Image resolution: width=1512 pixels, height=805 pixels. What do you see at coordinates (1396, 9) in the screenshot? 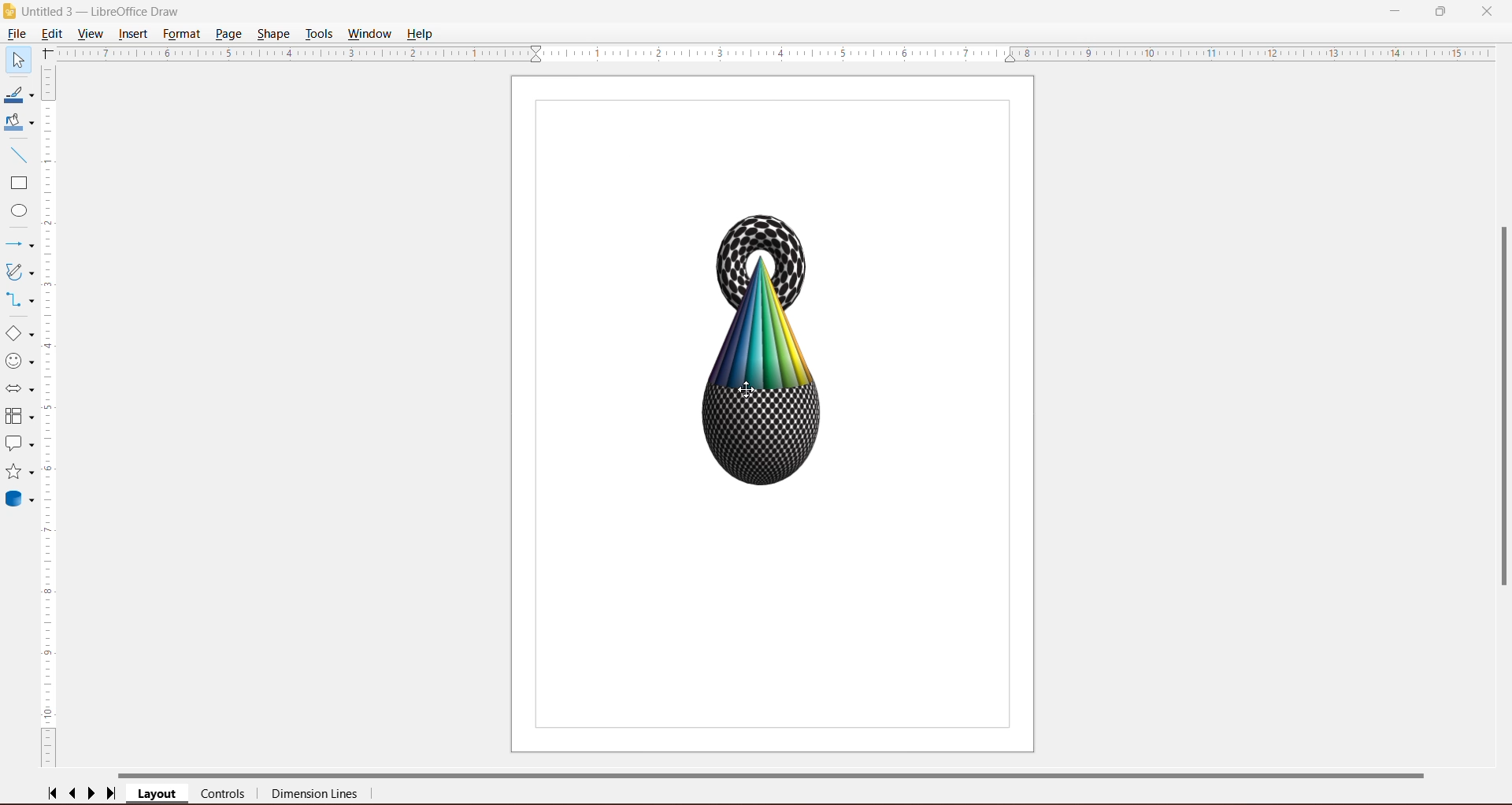
I see `Minimize` at bounding box center [1396, 9].